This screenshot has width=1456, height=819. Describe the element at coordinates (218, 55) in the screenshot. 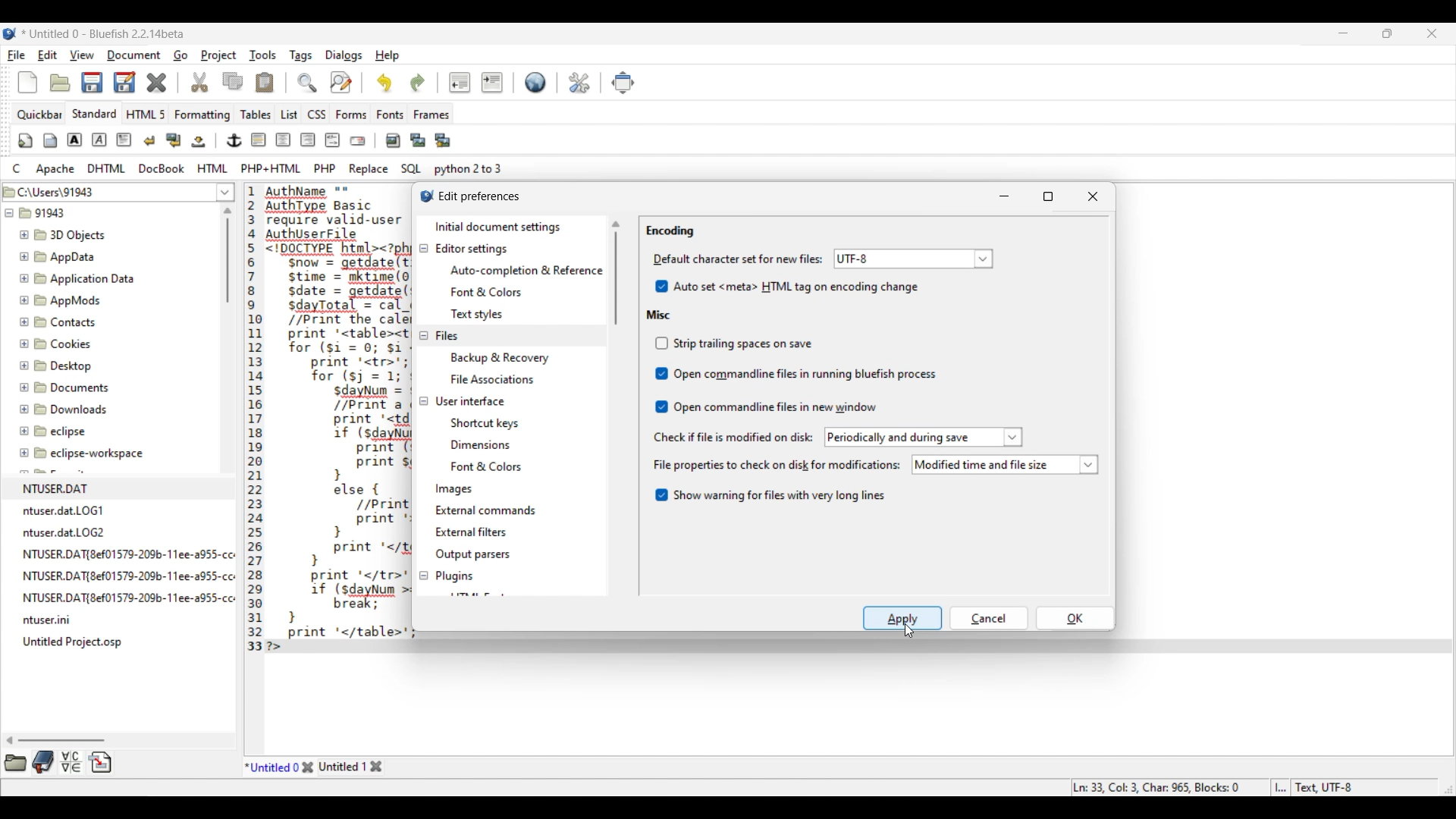

I see `Project menu` at that location.